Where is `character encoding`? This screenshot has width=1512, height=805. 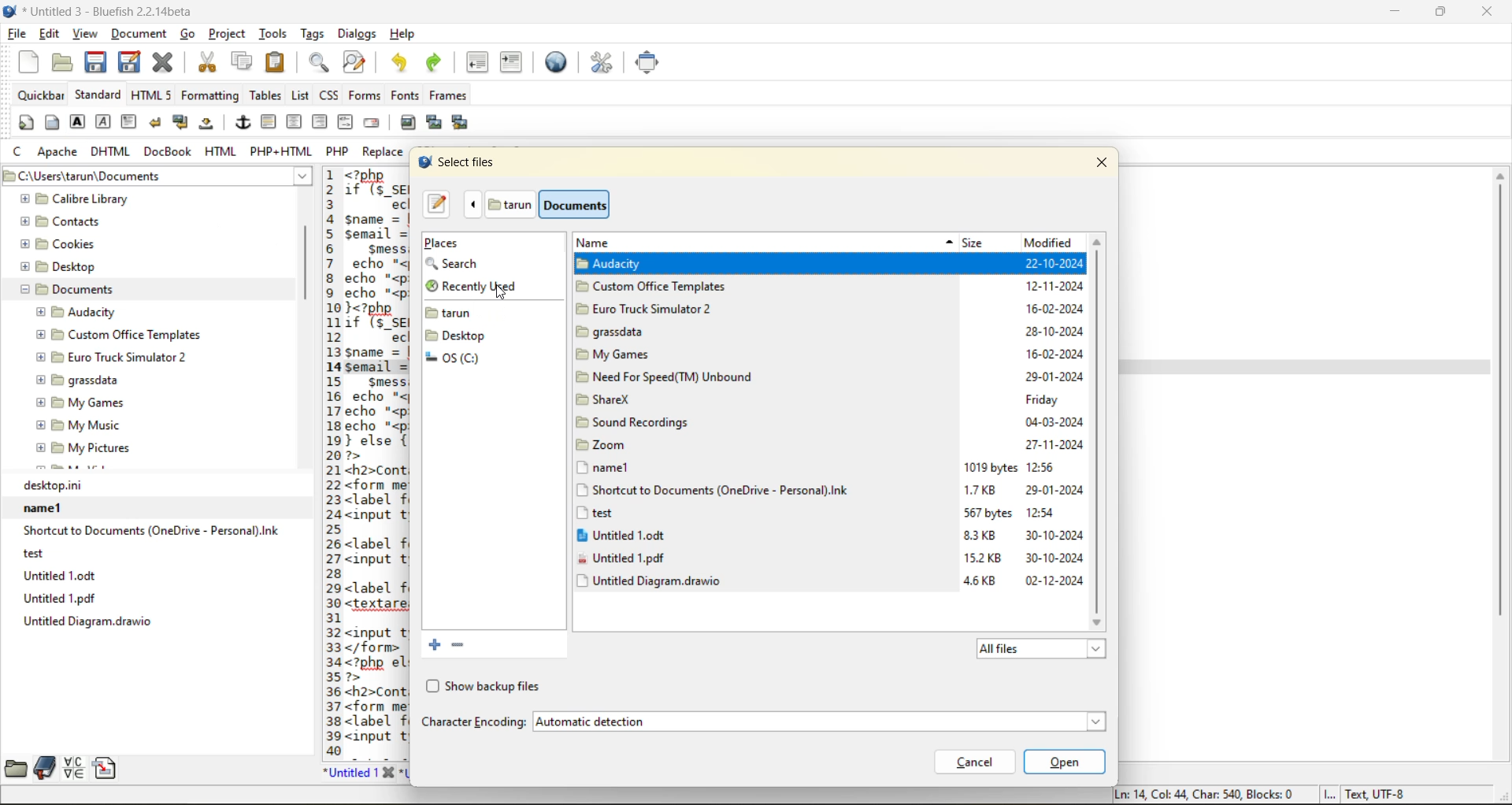
character encoding is located at coordinates (472, 722).